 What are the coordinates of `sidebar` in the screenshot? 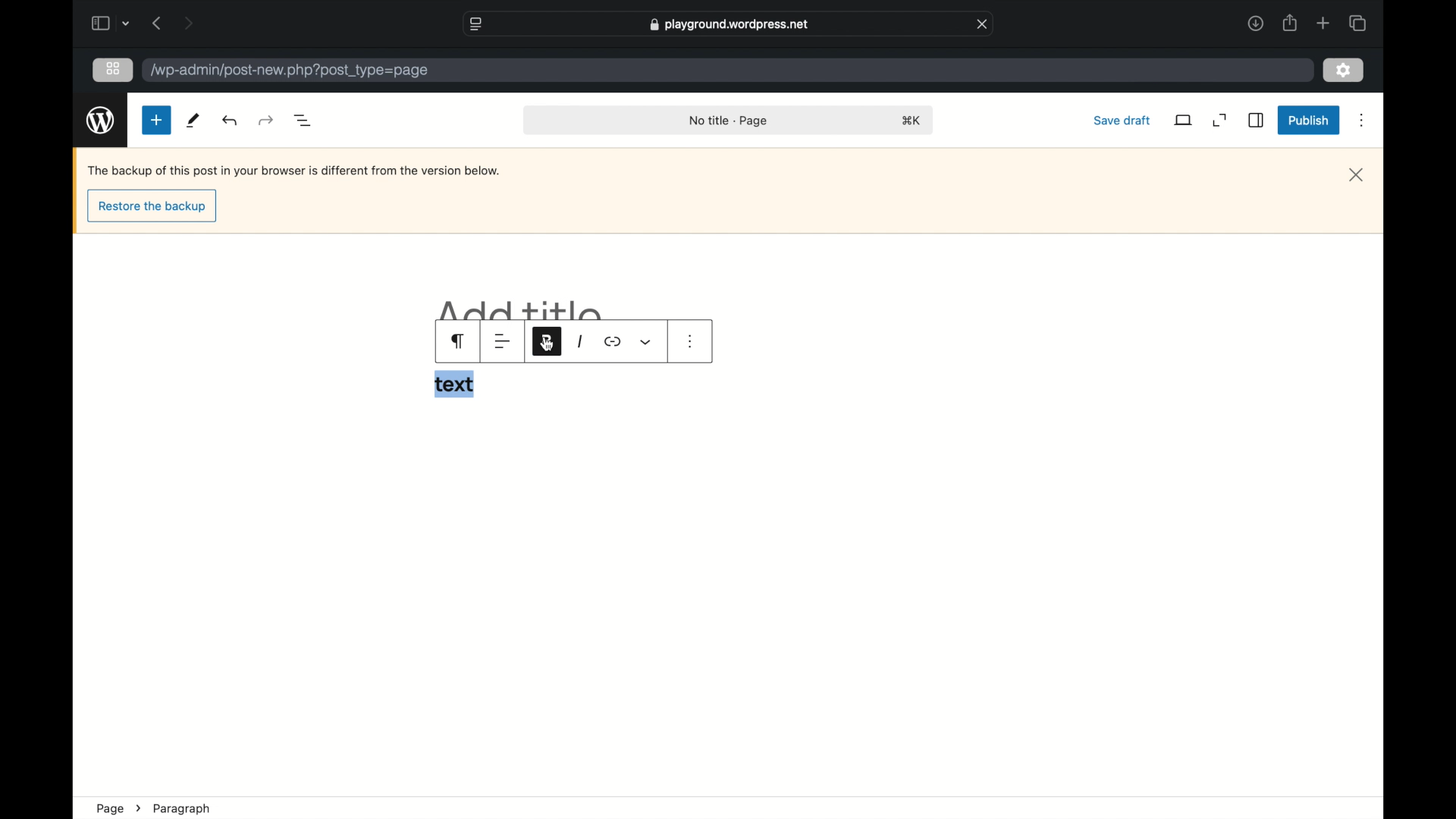 It's located at (1257, 121).